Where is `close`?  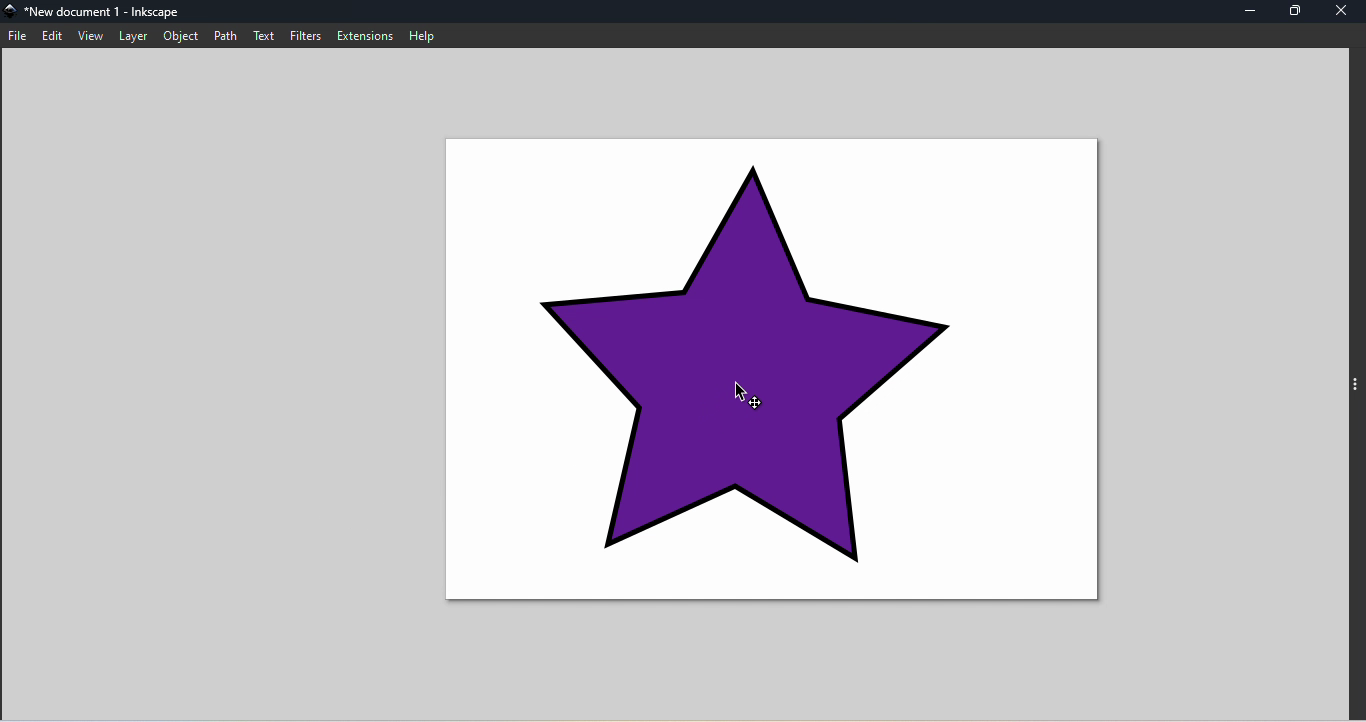
close is located at coordinates (1340, 10).